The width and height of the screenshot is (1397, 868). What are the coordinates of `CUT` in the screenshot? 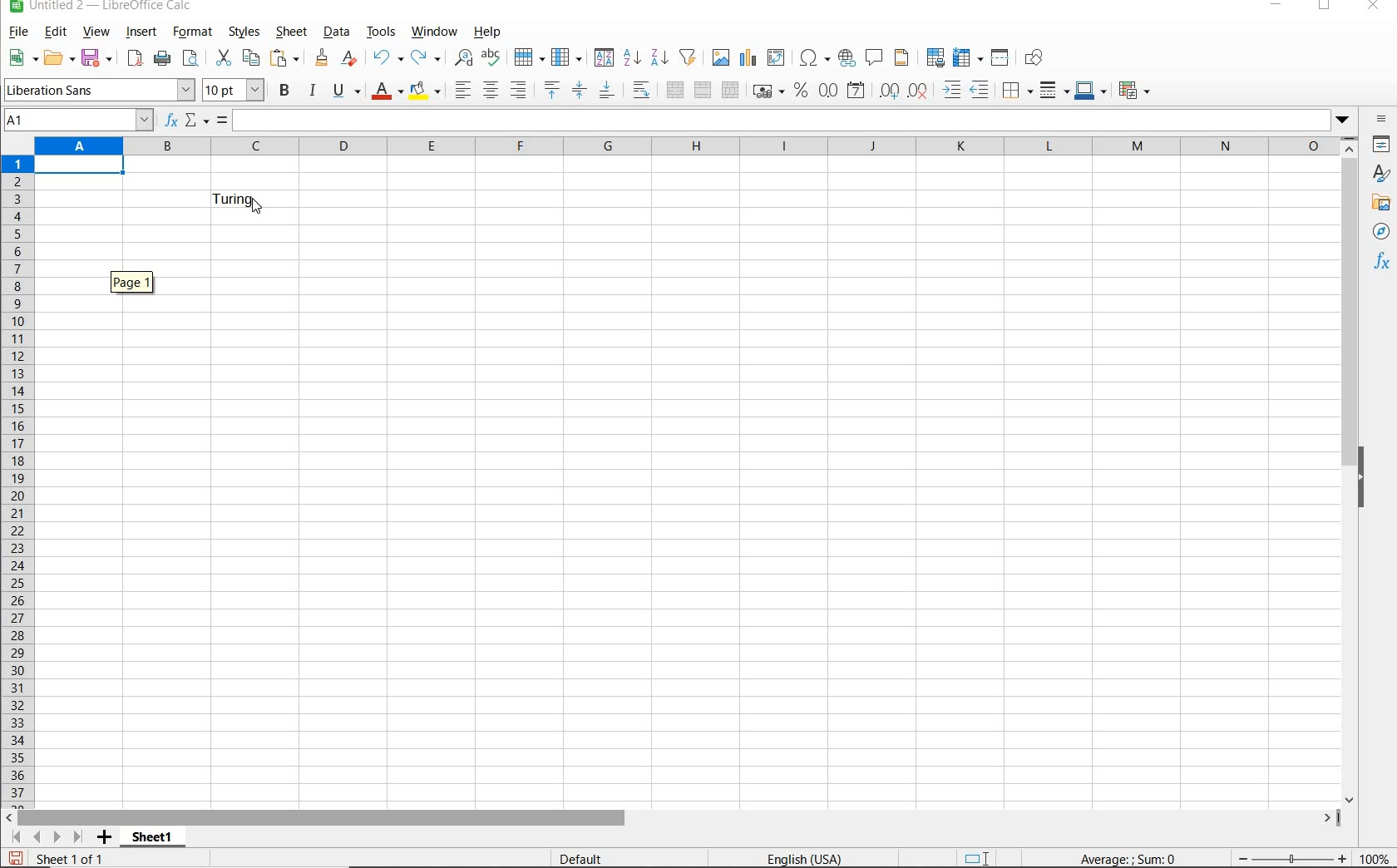 It's located at (224, 57).